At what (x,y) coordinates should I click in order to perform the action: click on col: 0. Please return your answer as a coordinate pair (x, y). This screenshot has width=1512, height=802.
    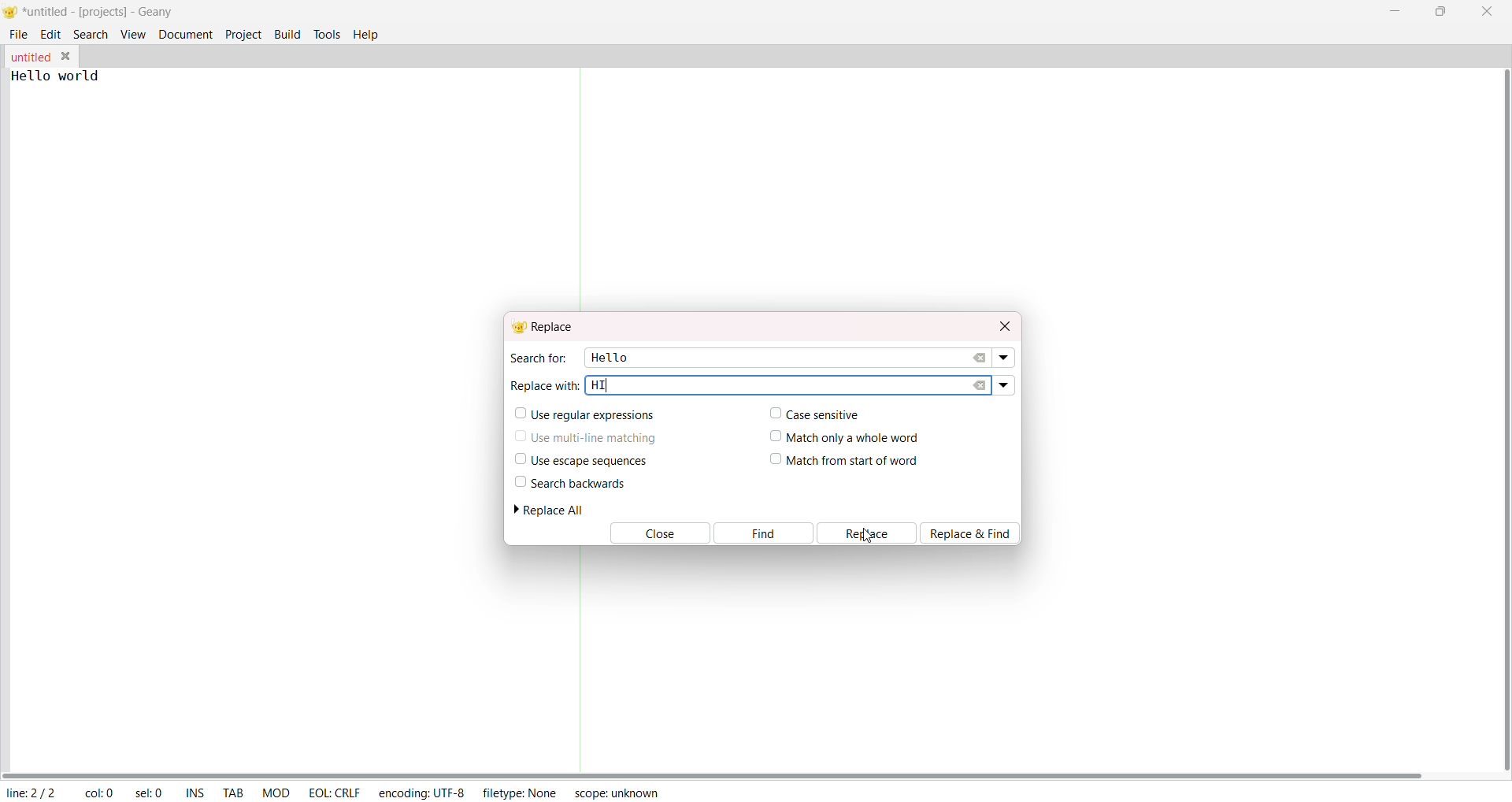
    Looking at the image, I should click on (98, 793).